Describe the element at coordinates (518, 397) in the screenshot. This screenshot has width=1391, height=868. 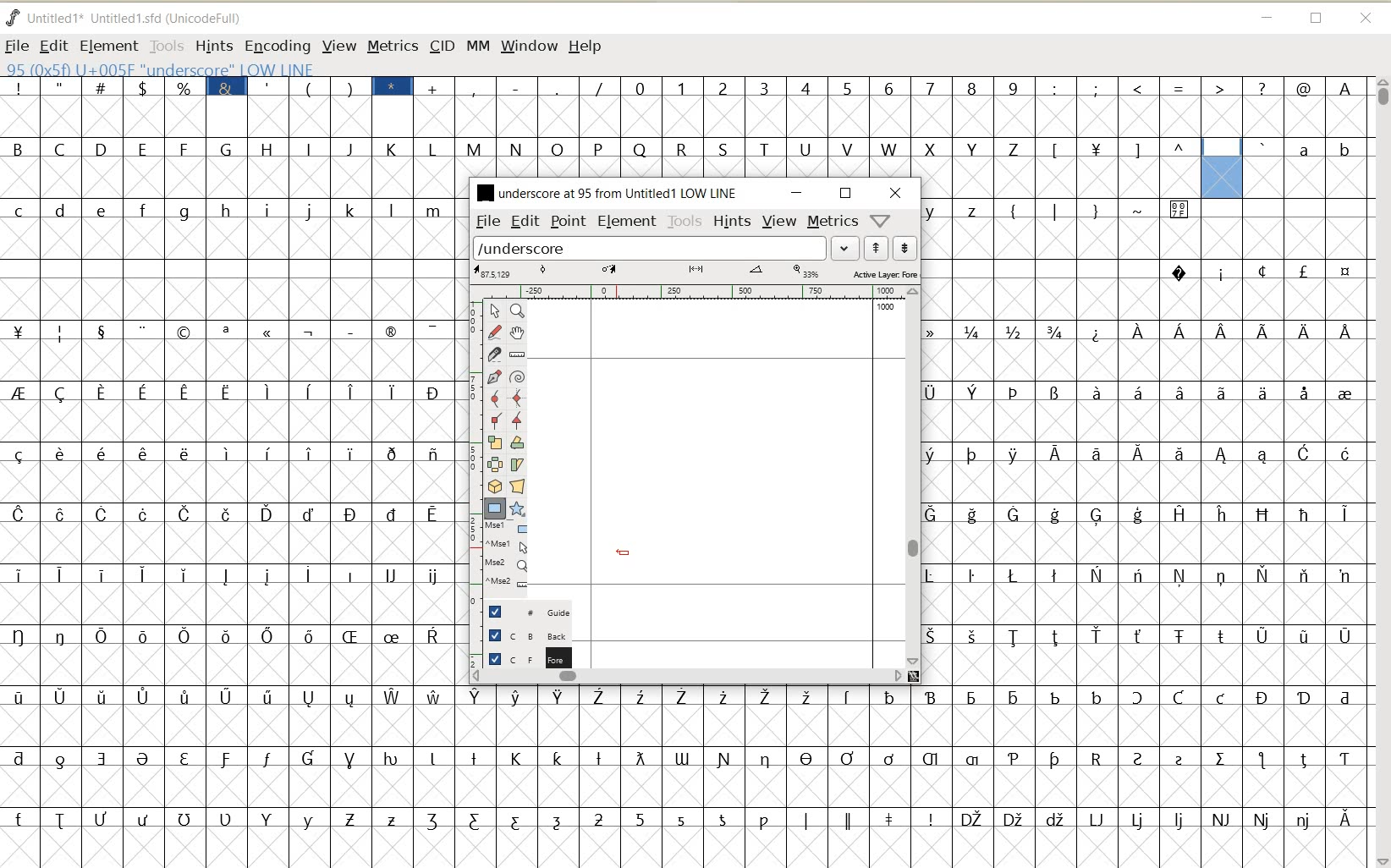
I see `add a curve point always either horizontal or vertical` at that location.